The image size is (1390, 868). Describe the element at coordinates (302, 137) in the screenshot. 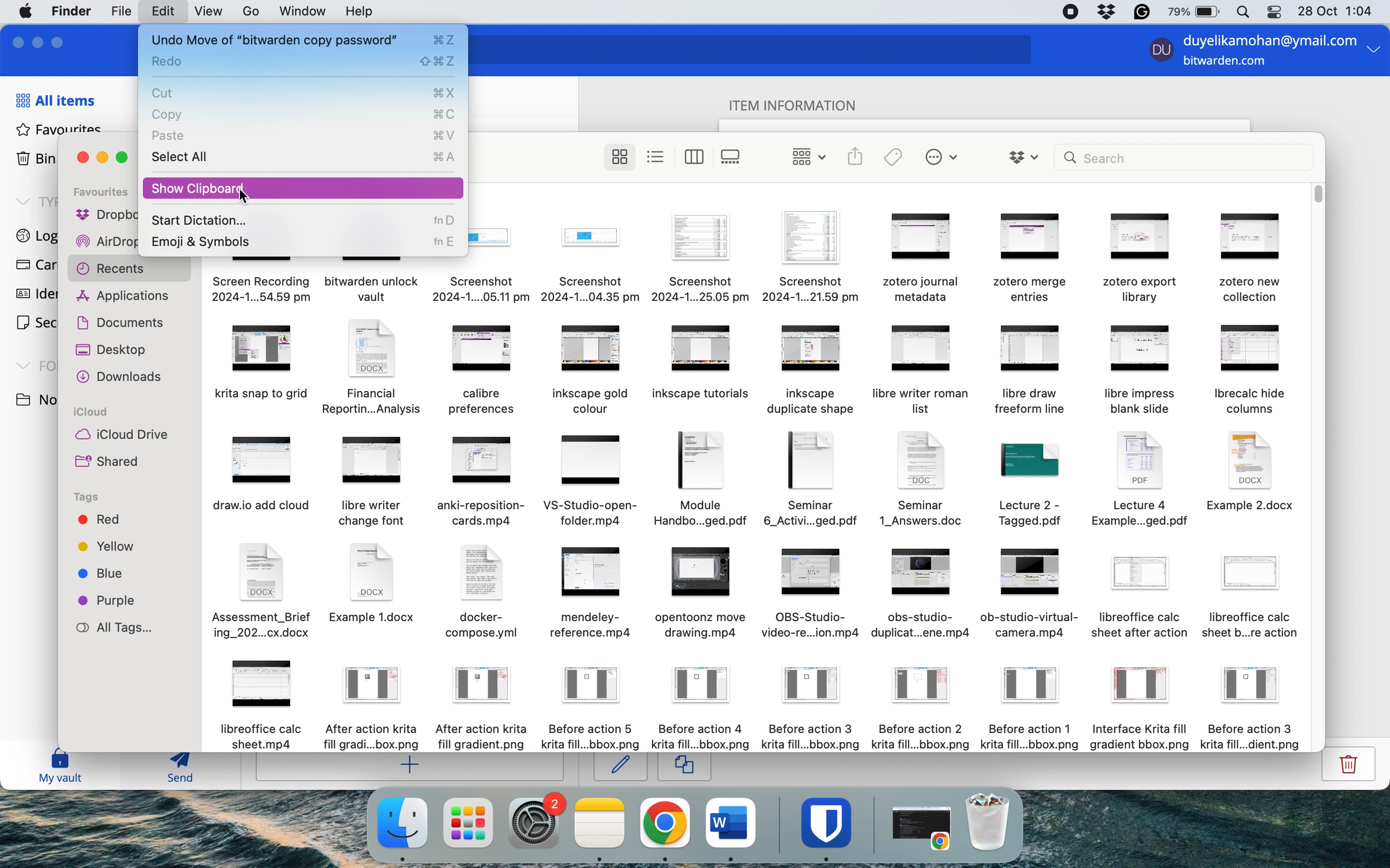

I see `paste` at that location.